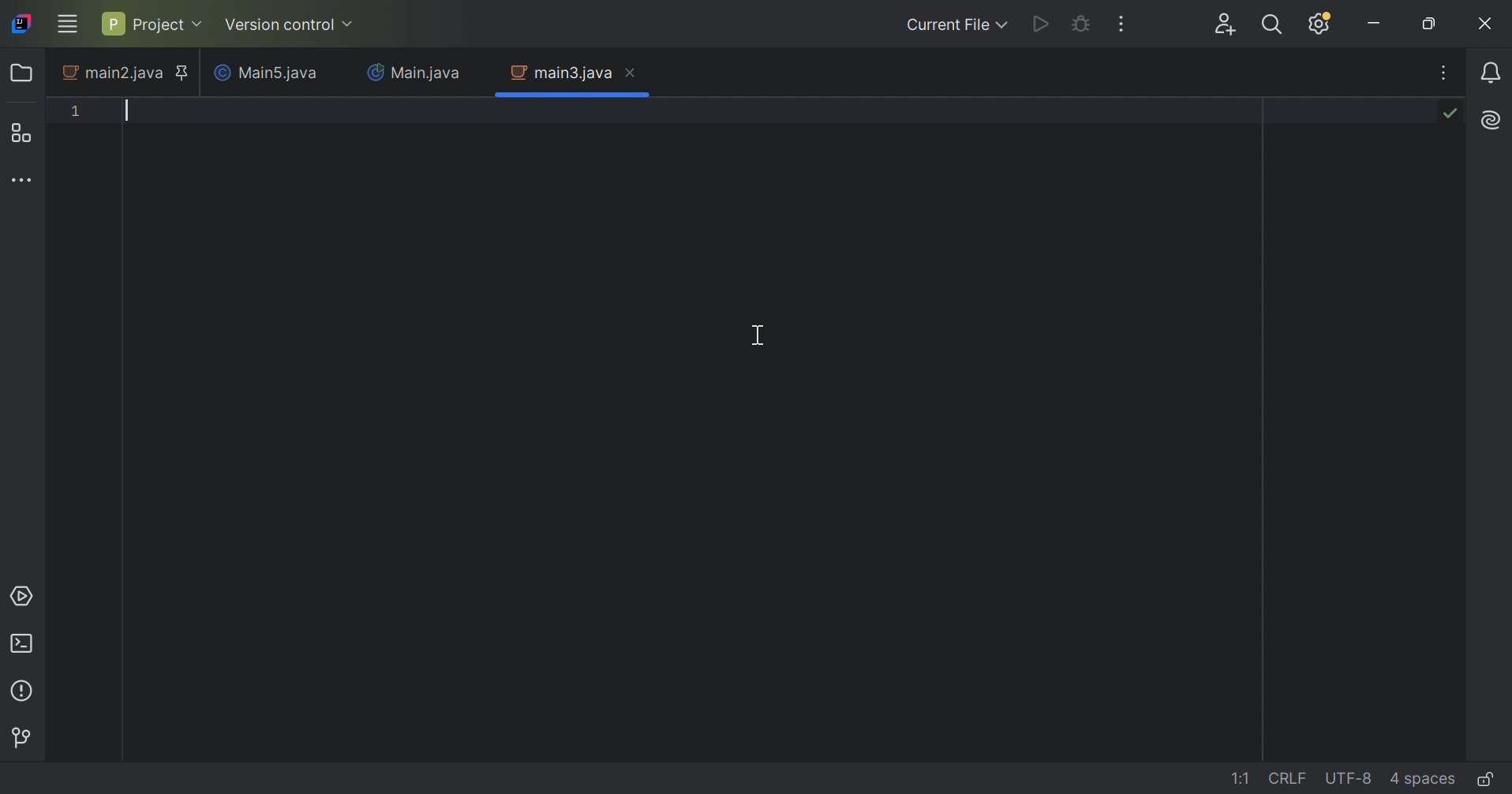 Image resolution: width=1512 pixels, height=794 pixels. What do you see at coordinates (1373, 23) in the screenshot?
I see `Minimize` at bounding box center [1373, 23].